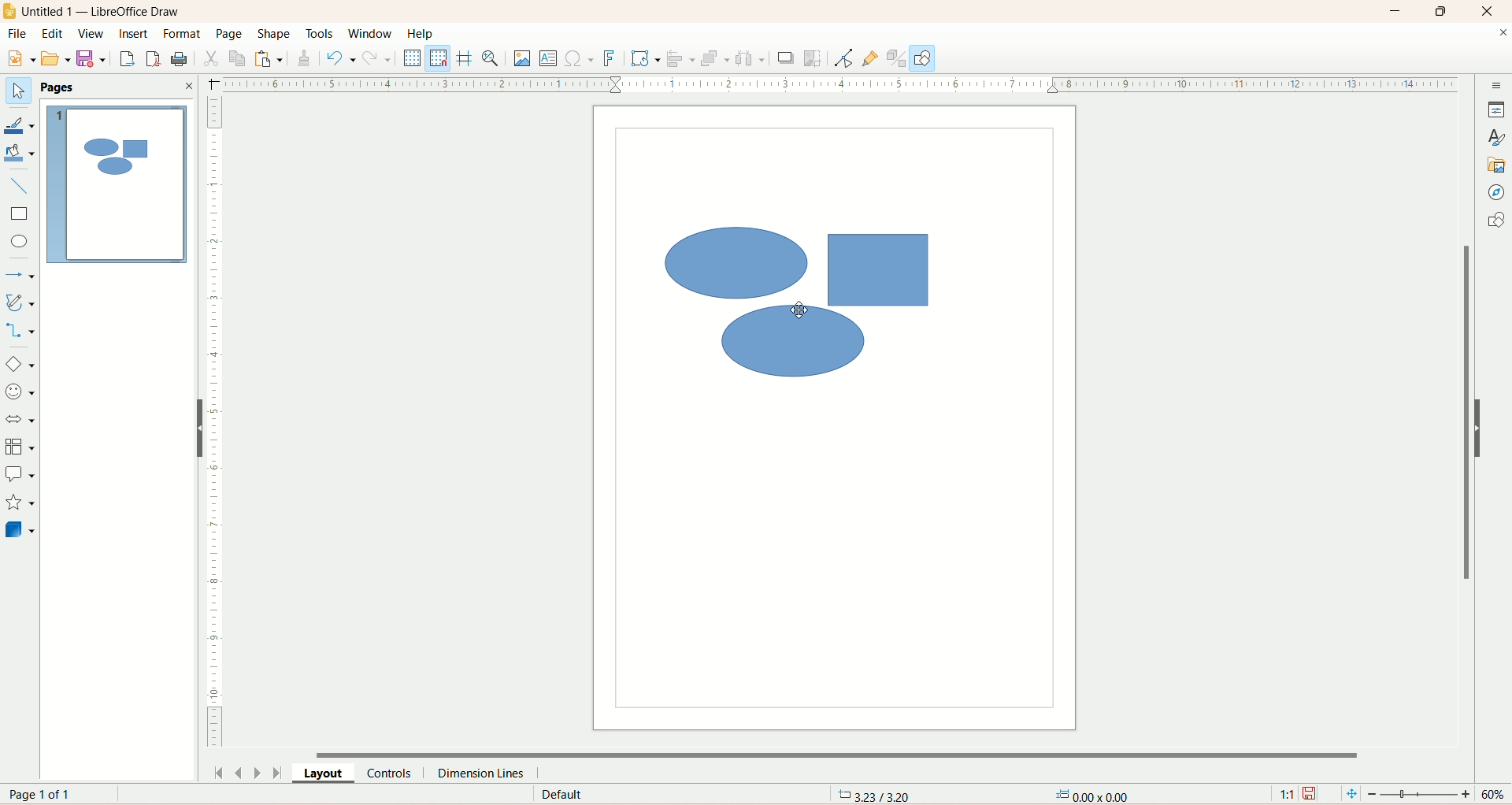  What do you see at coordinates (9, 11) in the screenshot?
I see `logo` at bounding box center [9, 11].